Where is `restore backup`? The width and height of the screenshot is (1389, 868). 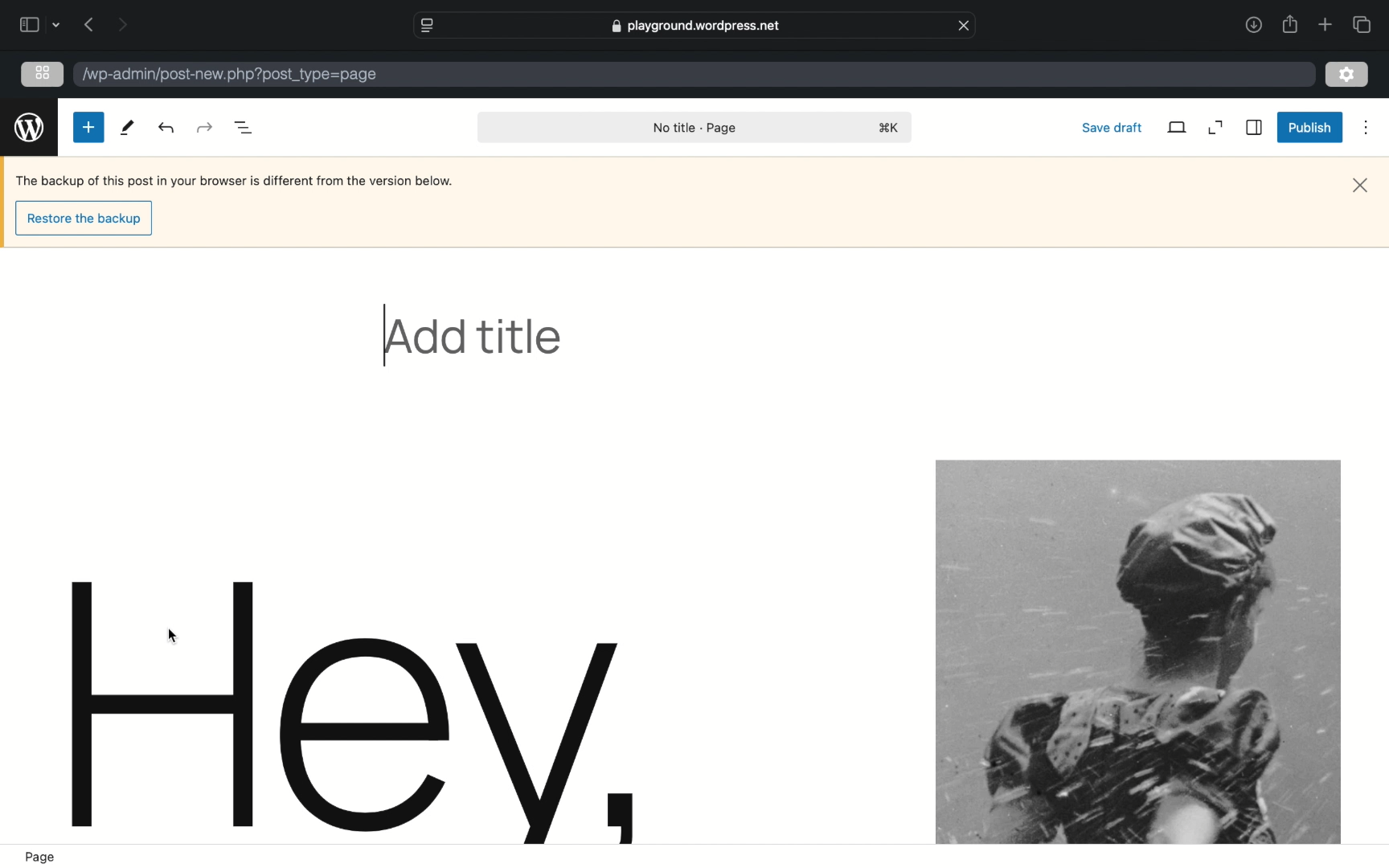 restore backup is located at coordinates (84, 219).